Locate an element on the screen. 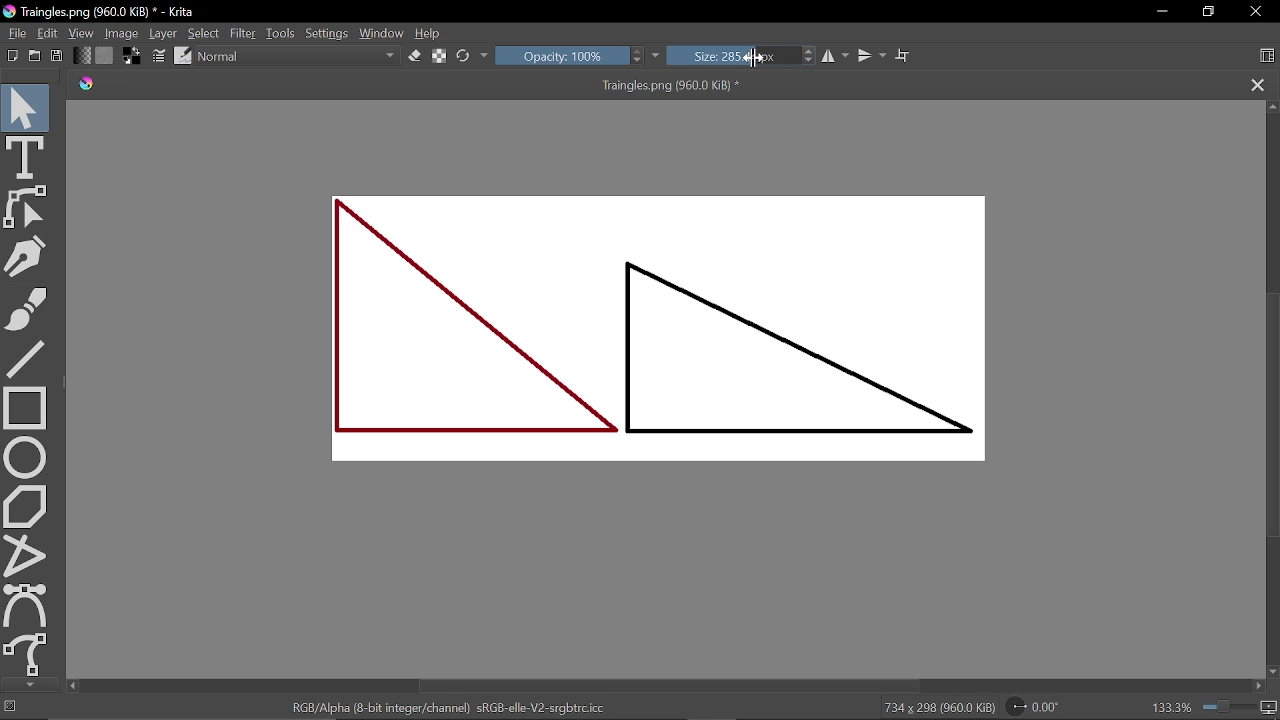 This screenshot has height=720, width=1280. Two triangles is located at coordinates (675, 337).